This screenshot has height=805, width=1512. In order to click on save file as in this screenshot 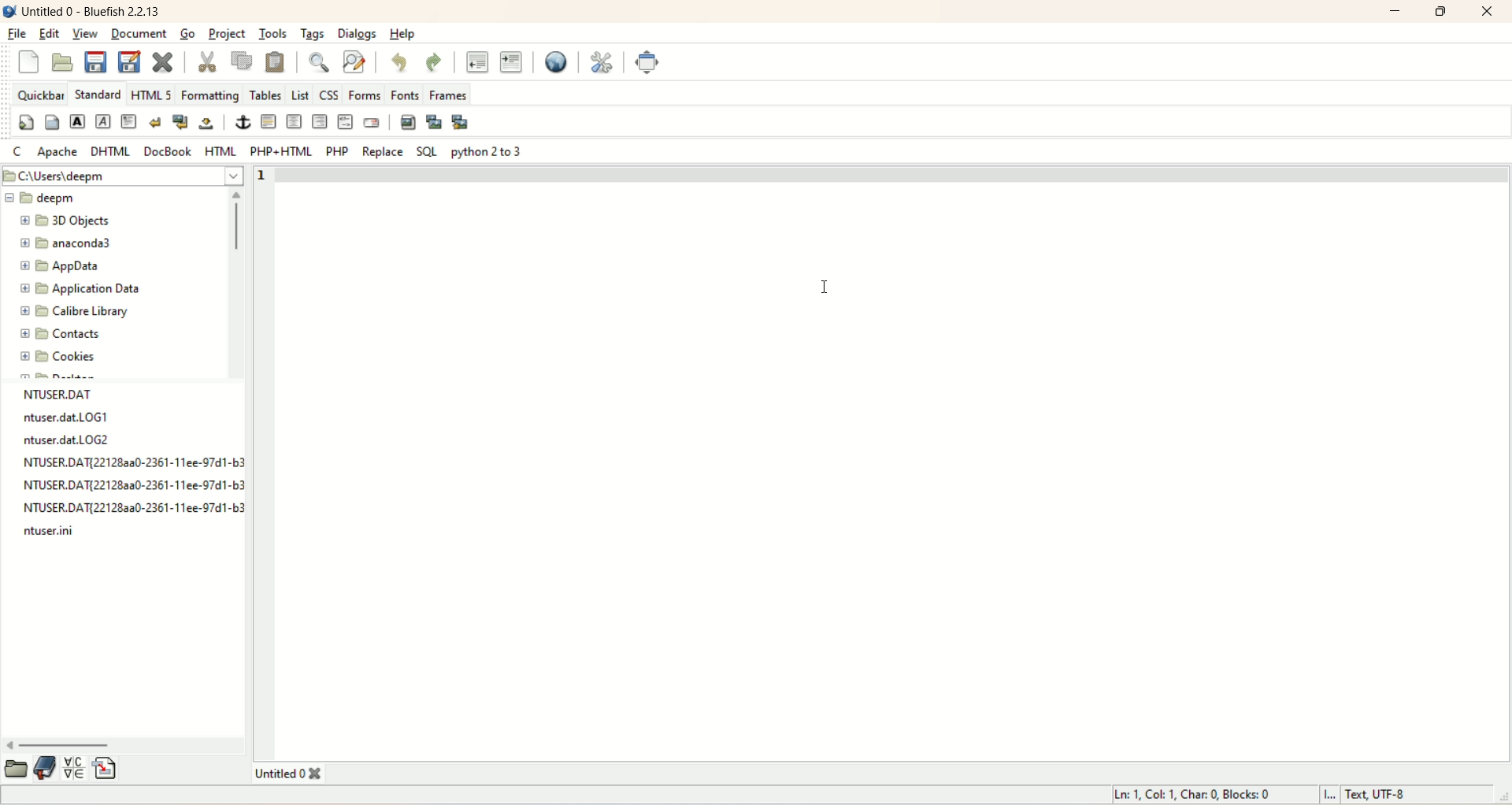, I will do `click(130, 62)`.